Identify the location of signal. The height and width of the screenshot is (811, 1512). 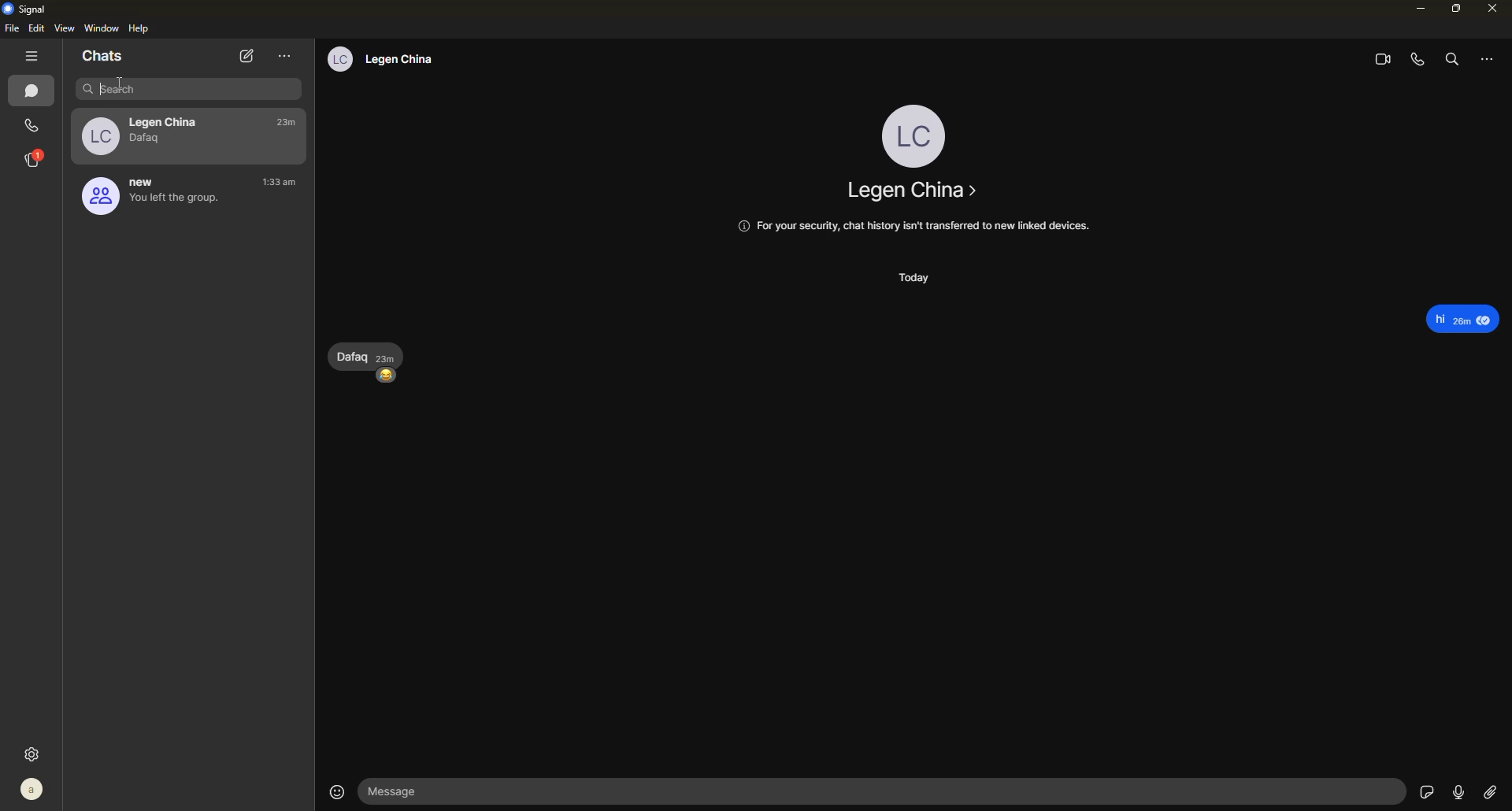
(29, 9).